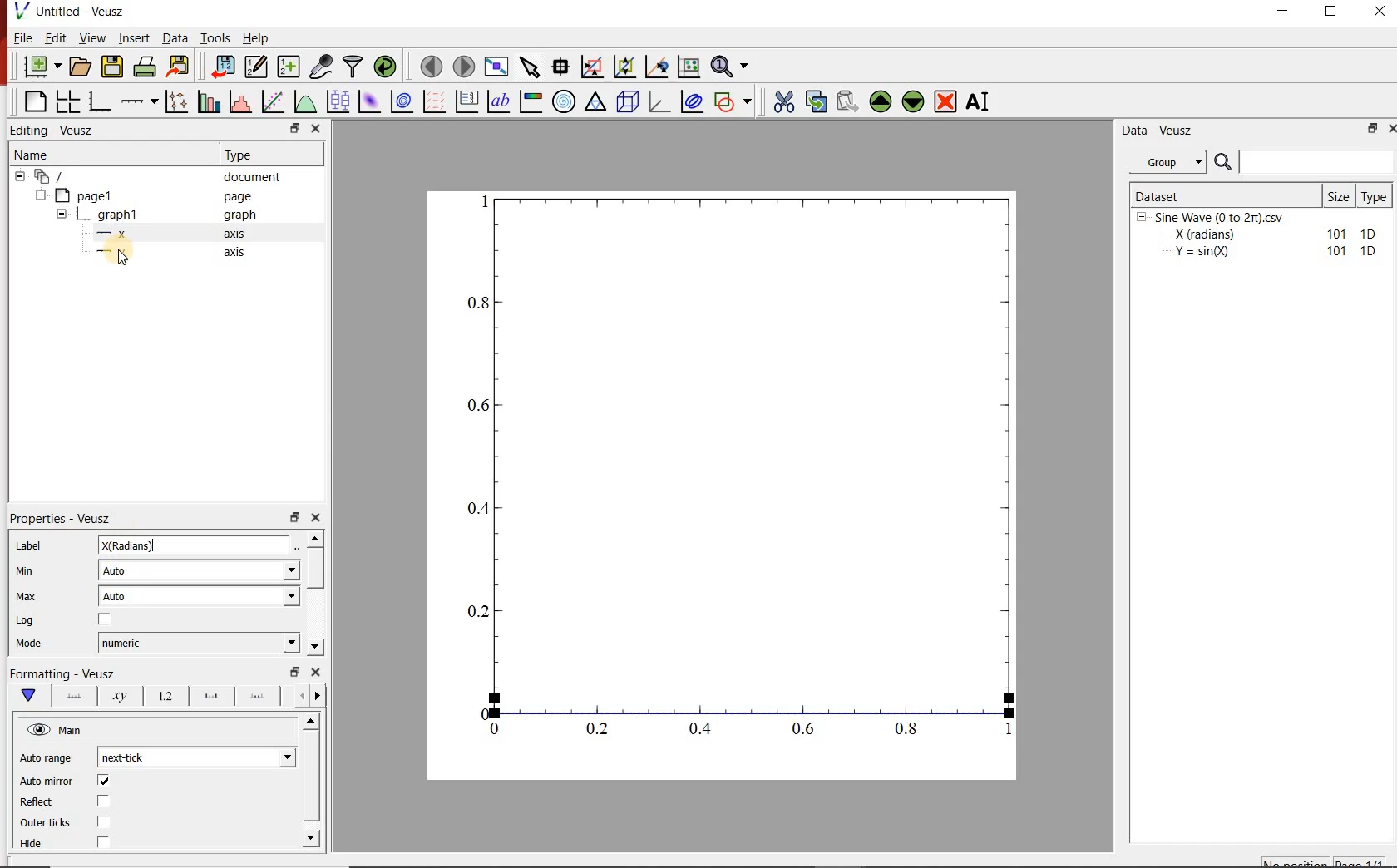  I want to click on view plot full screen, so click(496, 66).